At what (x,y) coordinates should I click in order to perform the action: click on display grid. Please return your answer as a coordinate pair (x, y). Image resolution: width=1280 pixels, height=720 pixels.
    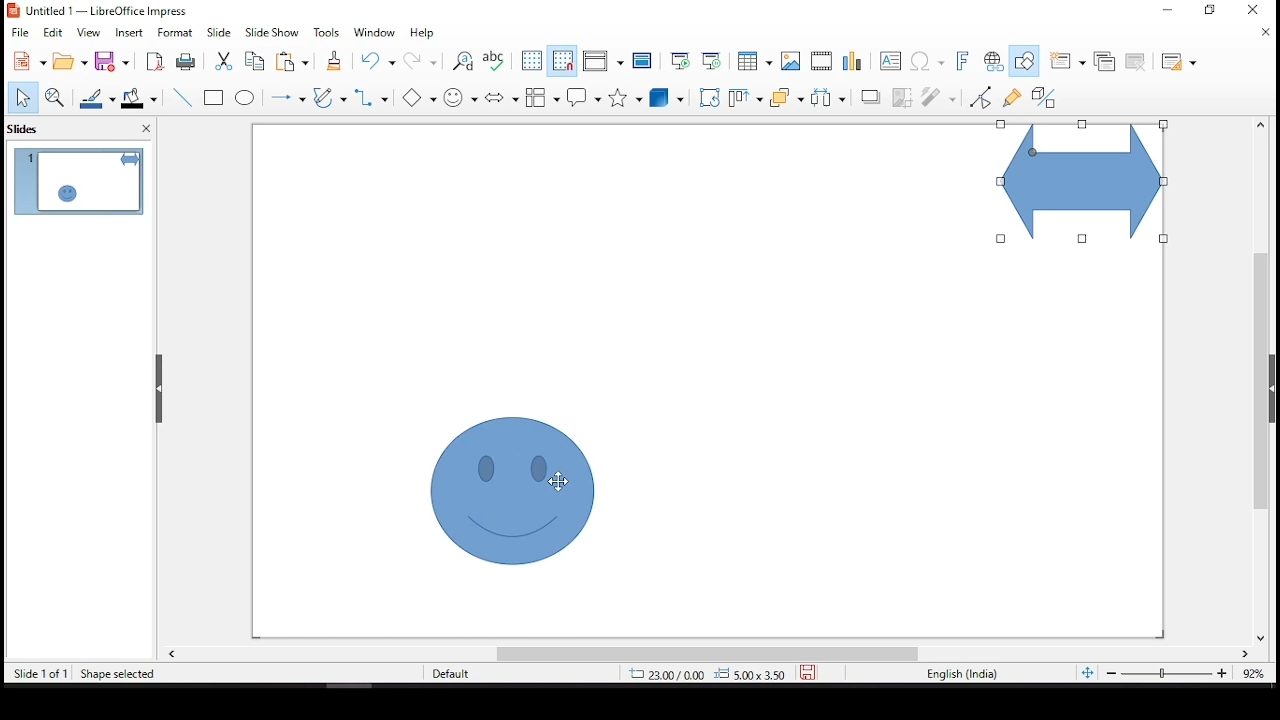
    Looking at the image, I should click on (531, 59).